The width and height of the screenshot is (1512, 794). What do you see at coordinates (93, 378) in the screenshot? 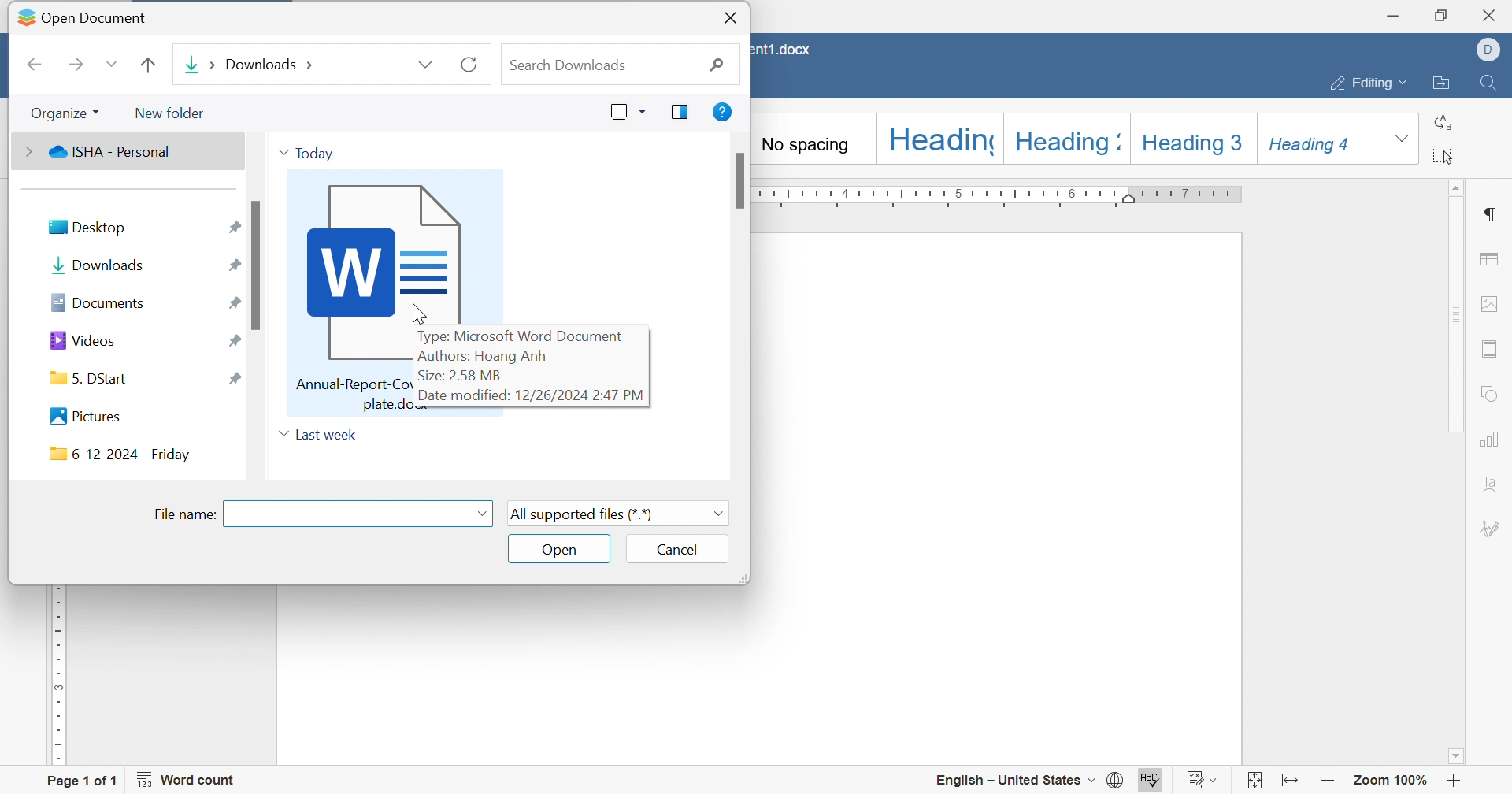
I see `5.Dstart` at bounding box center [93, 378].